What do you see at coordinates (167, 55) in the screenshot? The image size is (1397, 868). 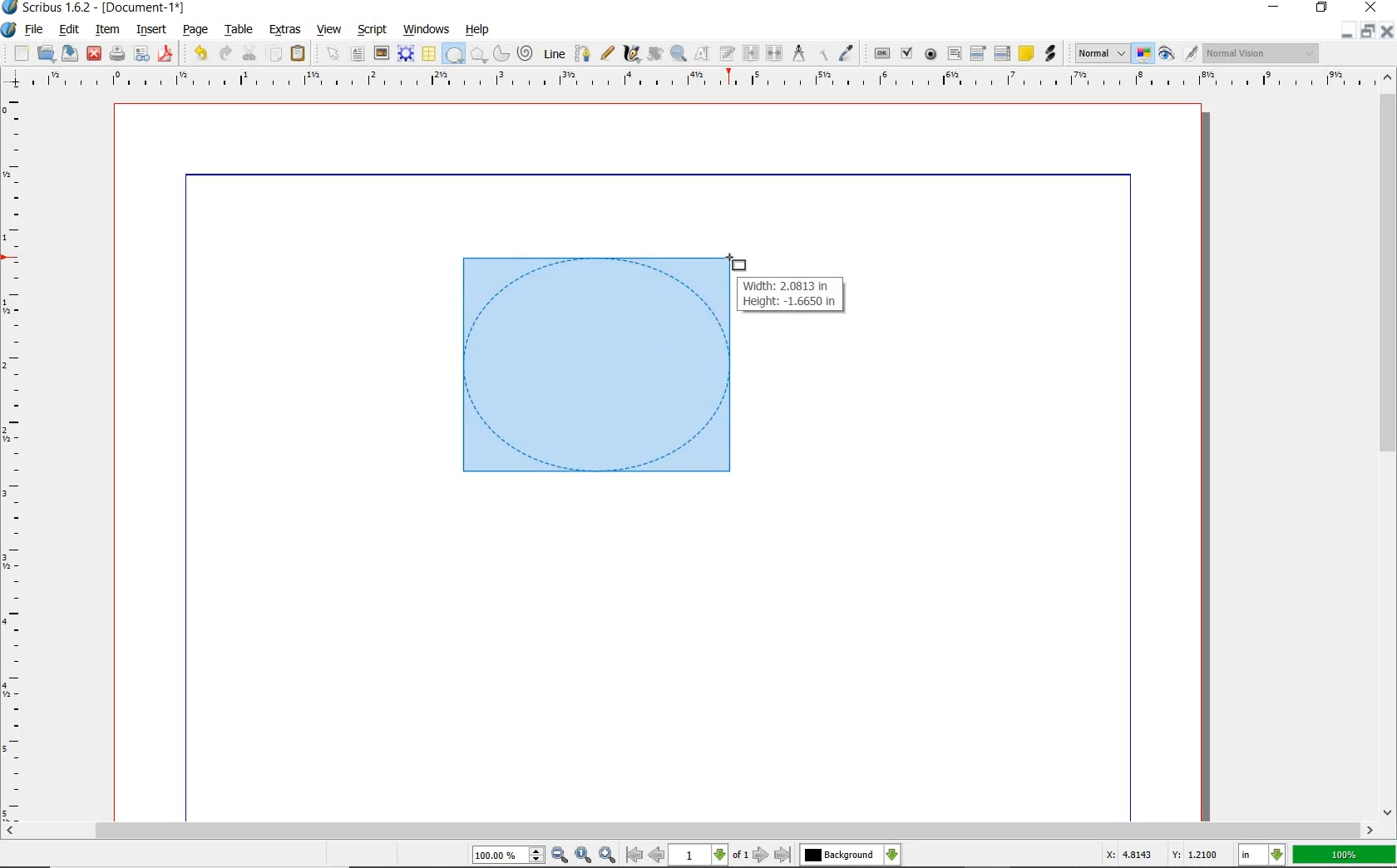 I see `SAVE AS PDF` at bounding box center [167, 55].